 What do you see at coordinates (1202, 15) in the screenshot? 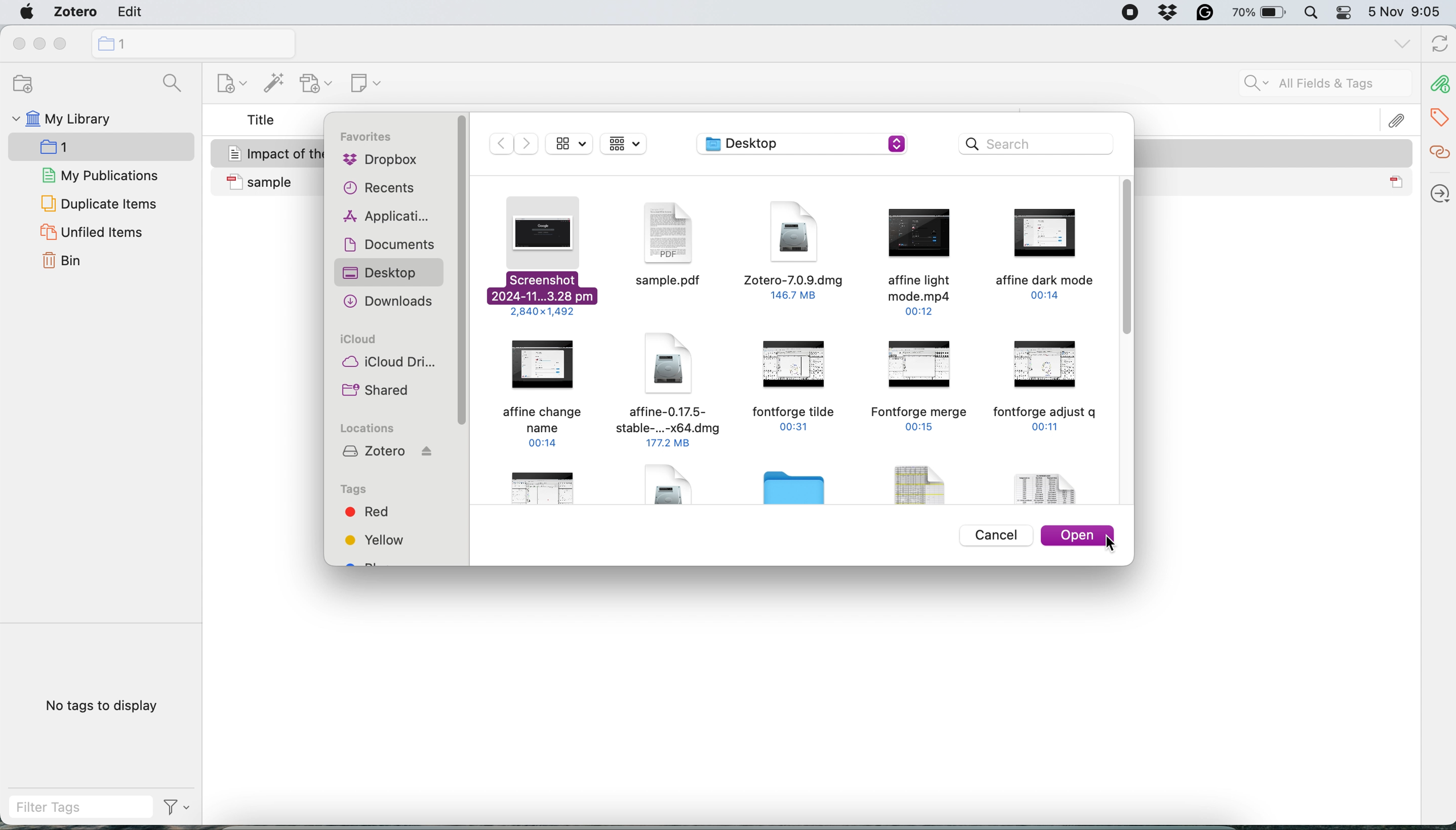
I see `grammarly` at bounding box center [1202, 15].